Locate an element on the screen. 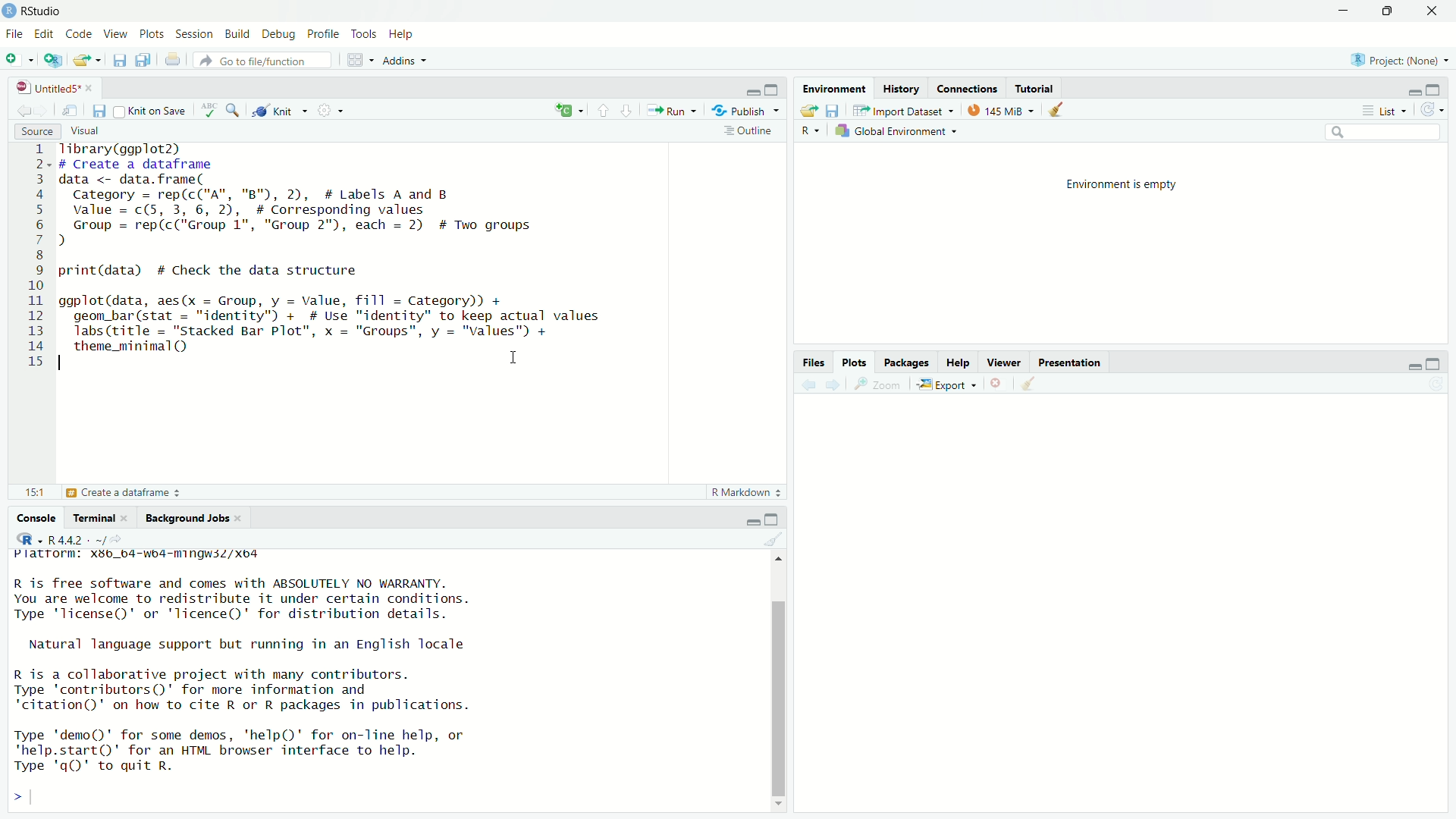 This screenshot has height=819, width=1456. Environment is empty is located at coordinates (1125, 184).